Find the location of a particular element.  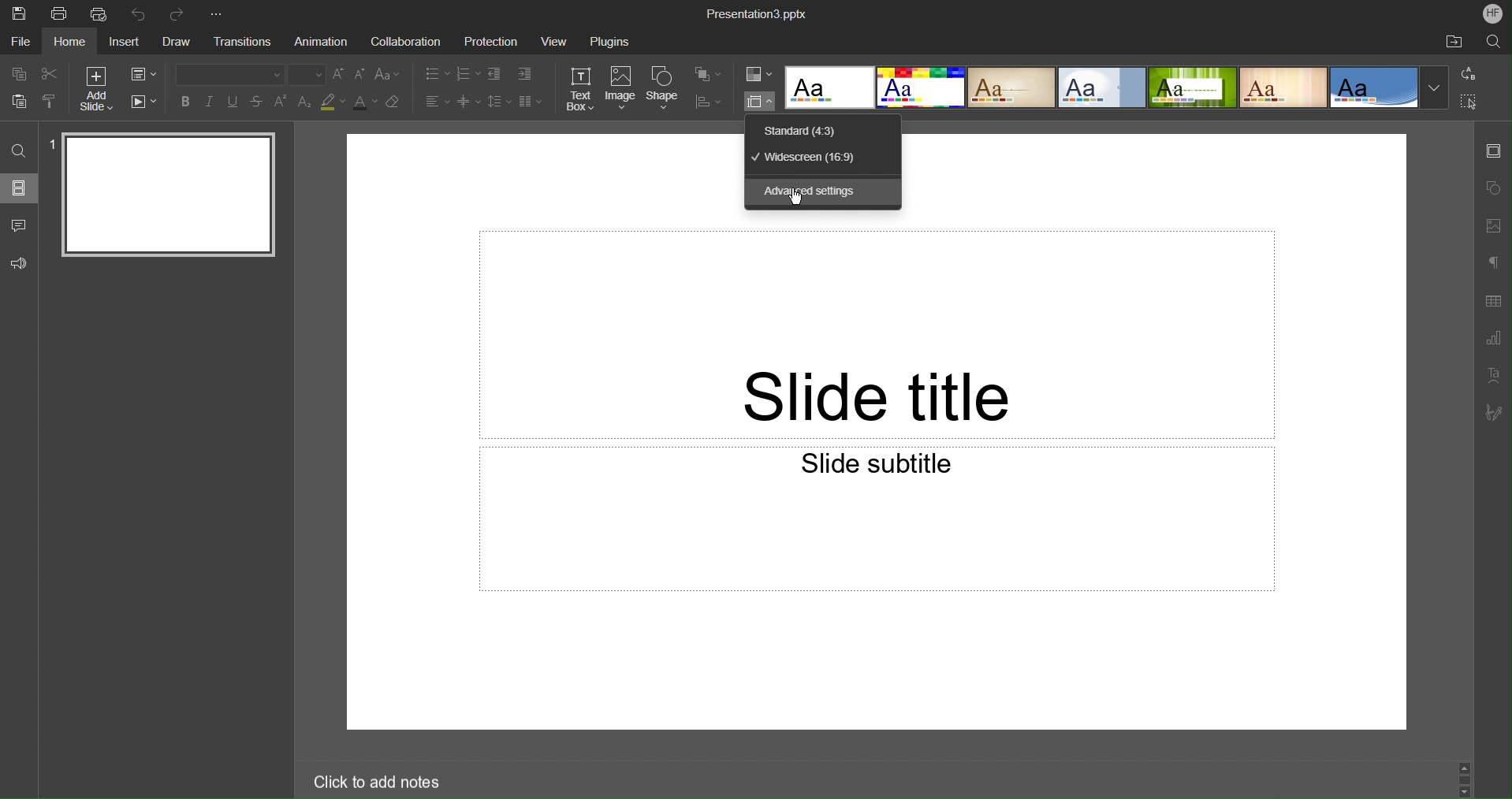

Slide Settings is located at coordinates (1492, 155).